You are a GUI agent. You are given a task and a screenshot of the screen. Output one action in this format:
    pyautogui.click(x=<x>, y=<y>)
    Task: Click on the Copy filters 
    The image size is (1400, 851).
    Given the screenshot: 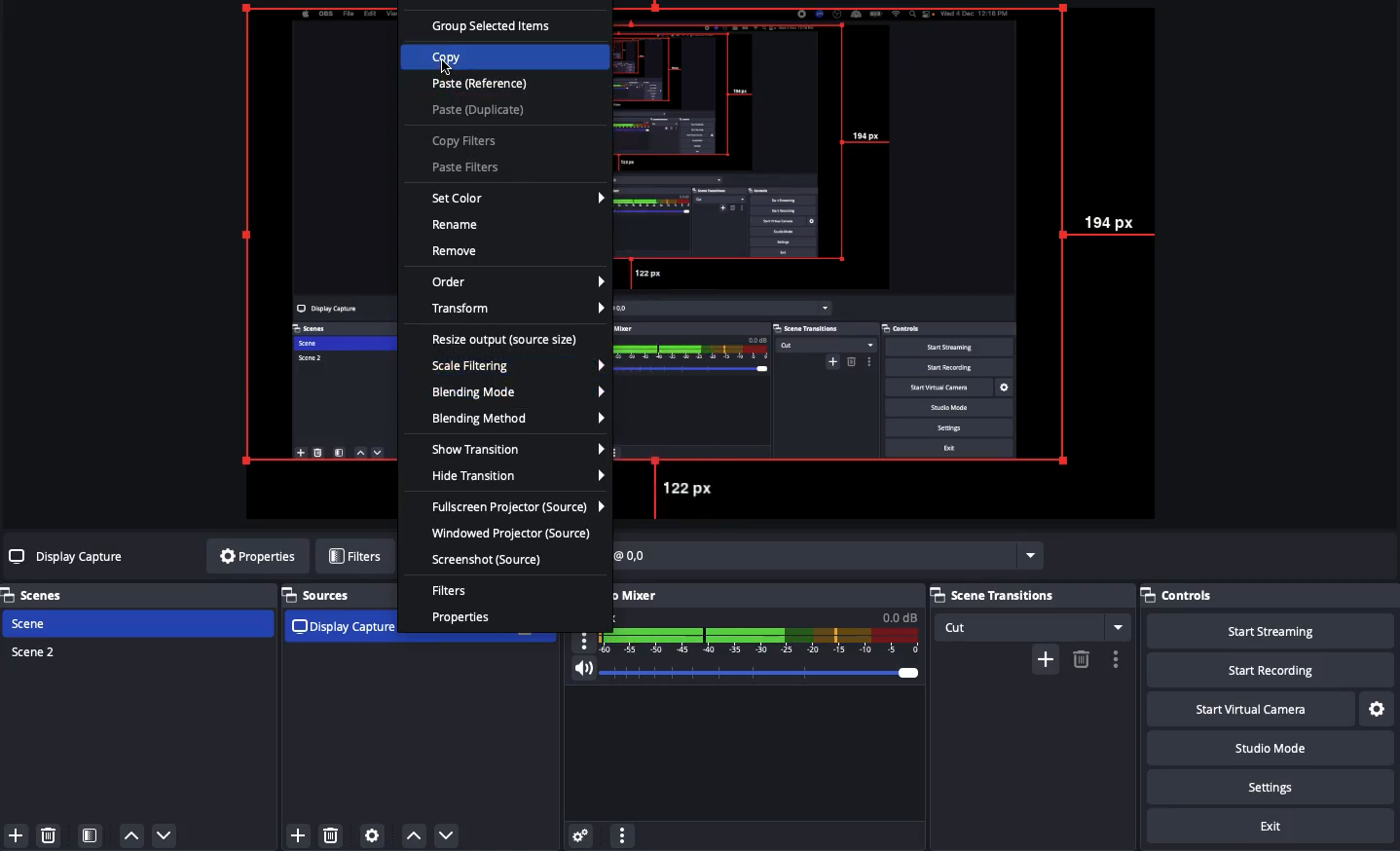 What is the action you would take?
    pyautogui.click(x=466, y=142)
    